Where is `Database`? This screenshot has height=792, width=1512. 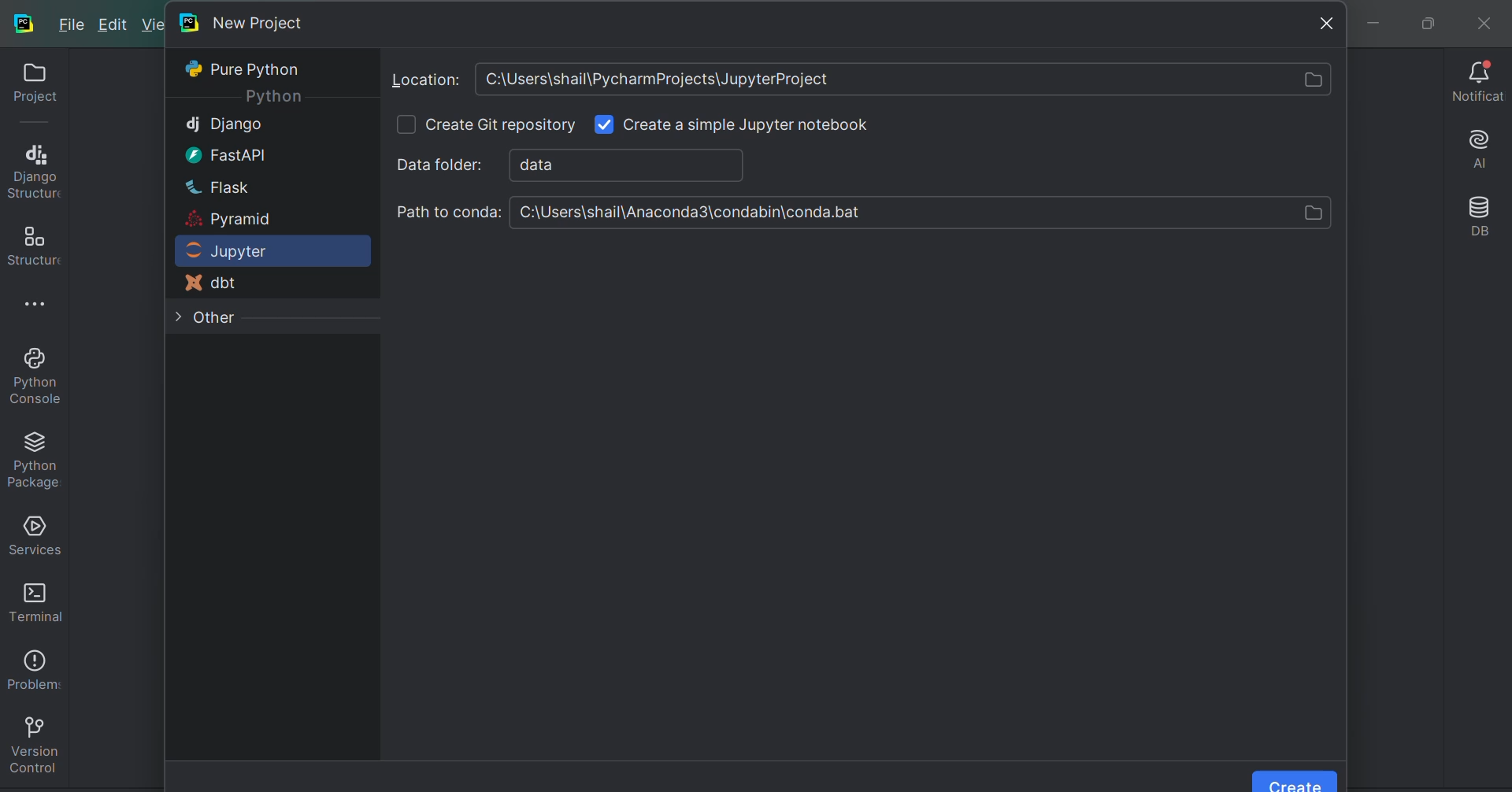 Database is located at coordinates (1482, 217).